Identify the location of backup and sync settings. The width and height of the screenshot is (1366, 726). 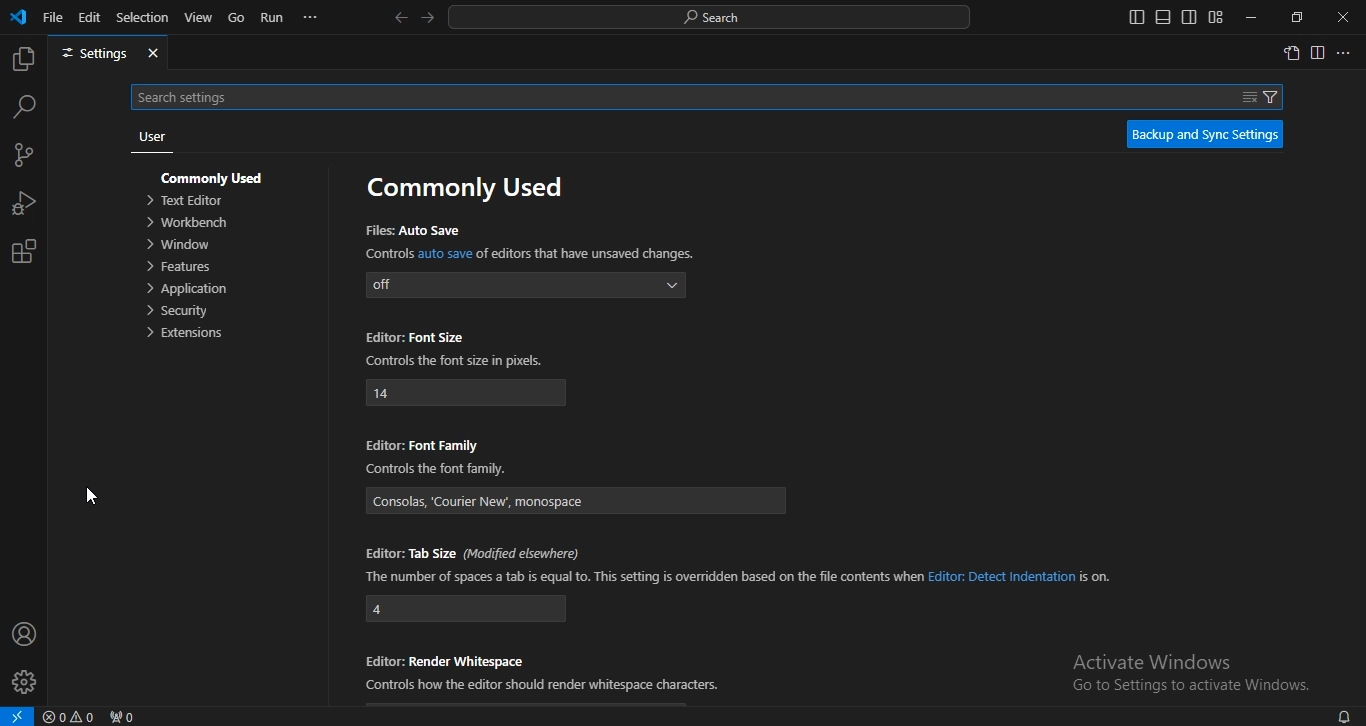
(1205, 134).